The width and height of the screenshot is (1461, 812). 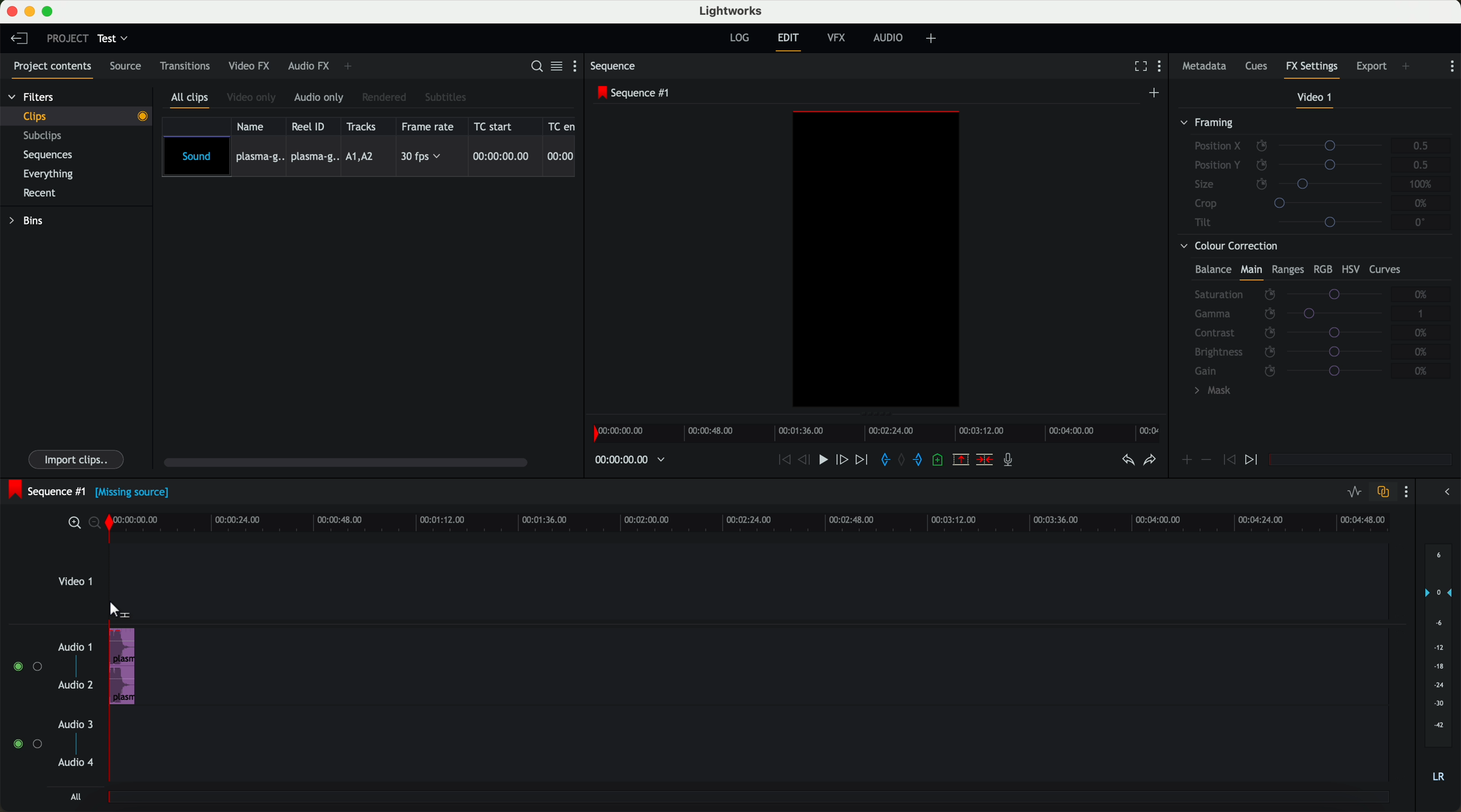 What do you see at coordinates (75, 585) in the screenshot?
I see `video 1` at bounding box center [75, 585].